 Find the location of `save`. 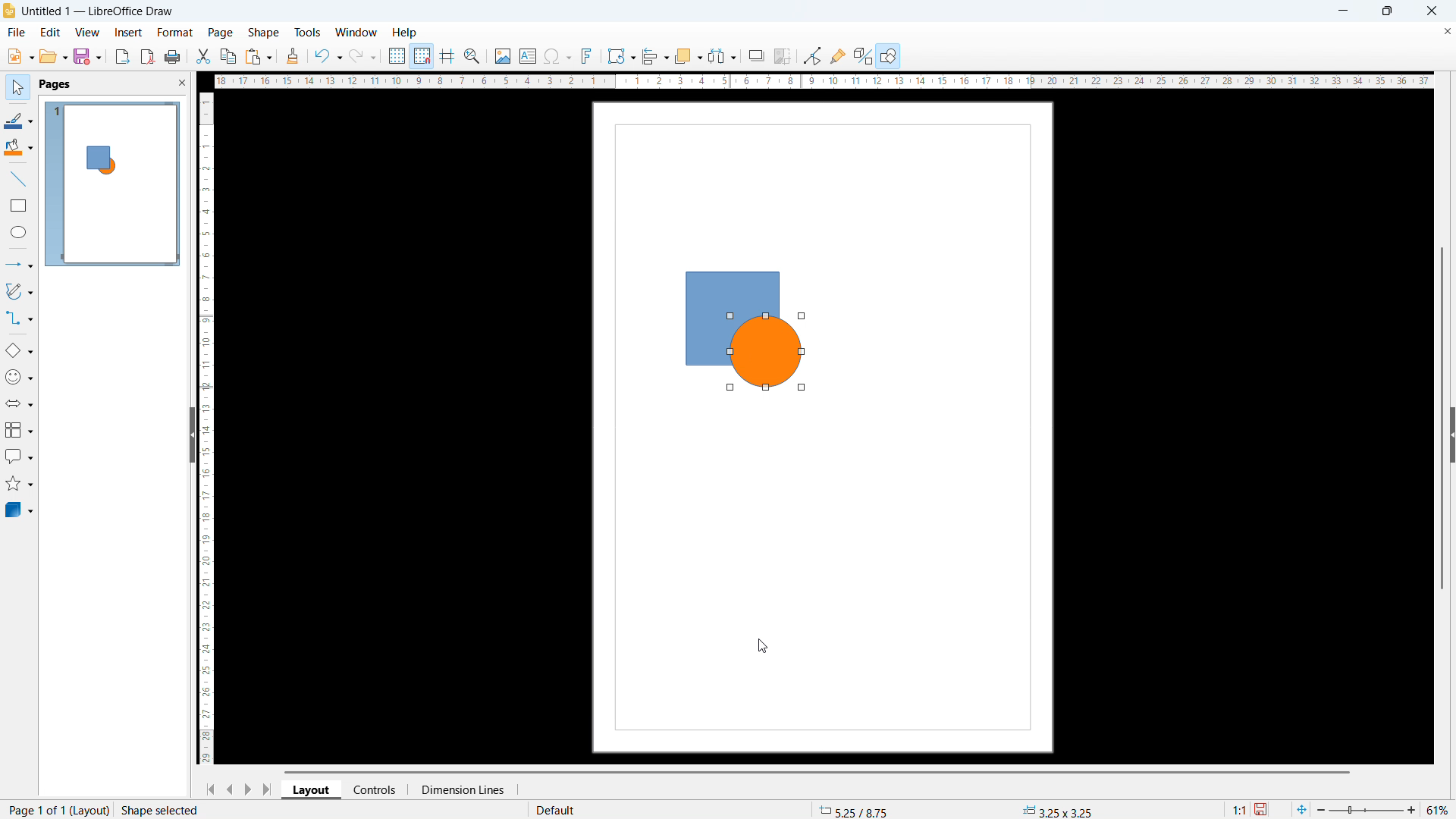

save is located at coordinates (1263, 808).